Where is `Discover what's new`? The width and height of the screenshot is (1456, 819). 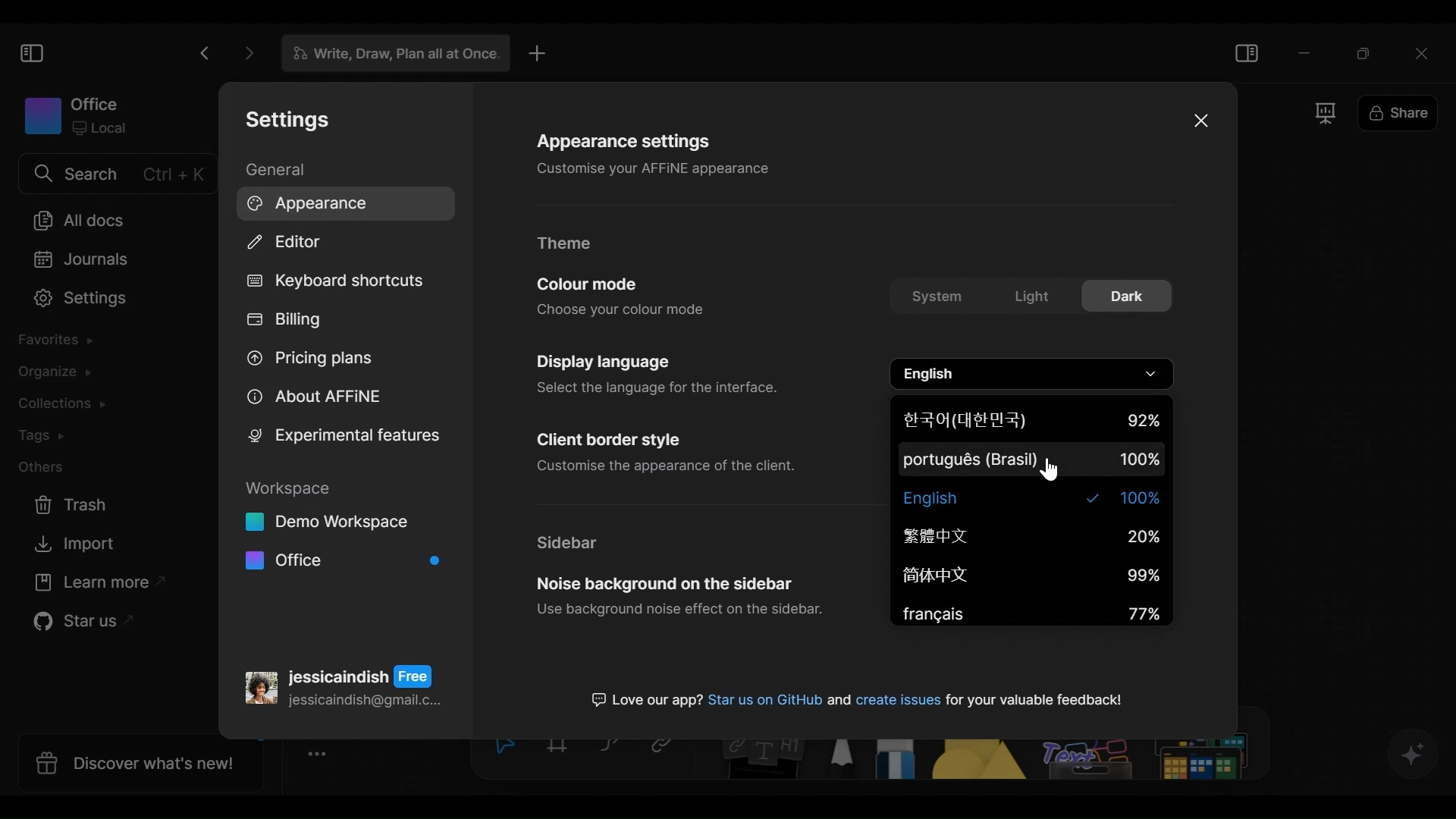
Discover what's new is located at coordinates (134, 762).